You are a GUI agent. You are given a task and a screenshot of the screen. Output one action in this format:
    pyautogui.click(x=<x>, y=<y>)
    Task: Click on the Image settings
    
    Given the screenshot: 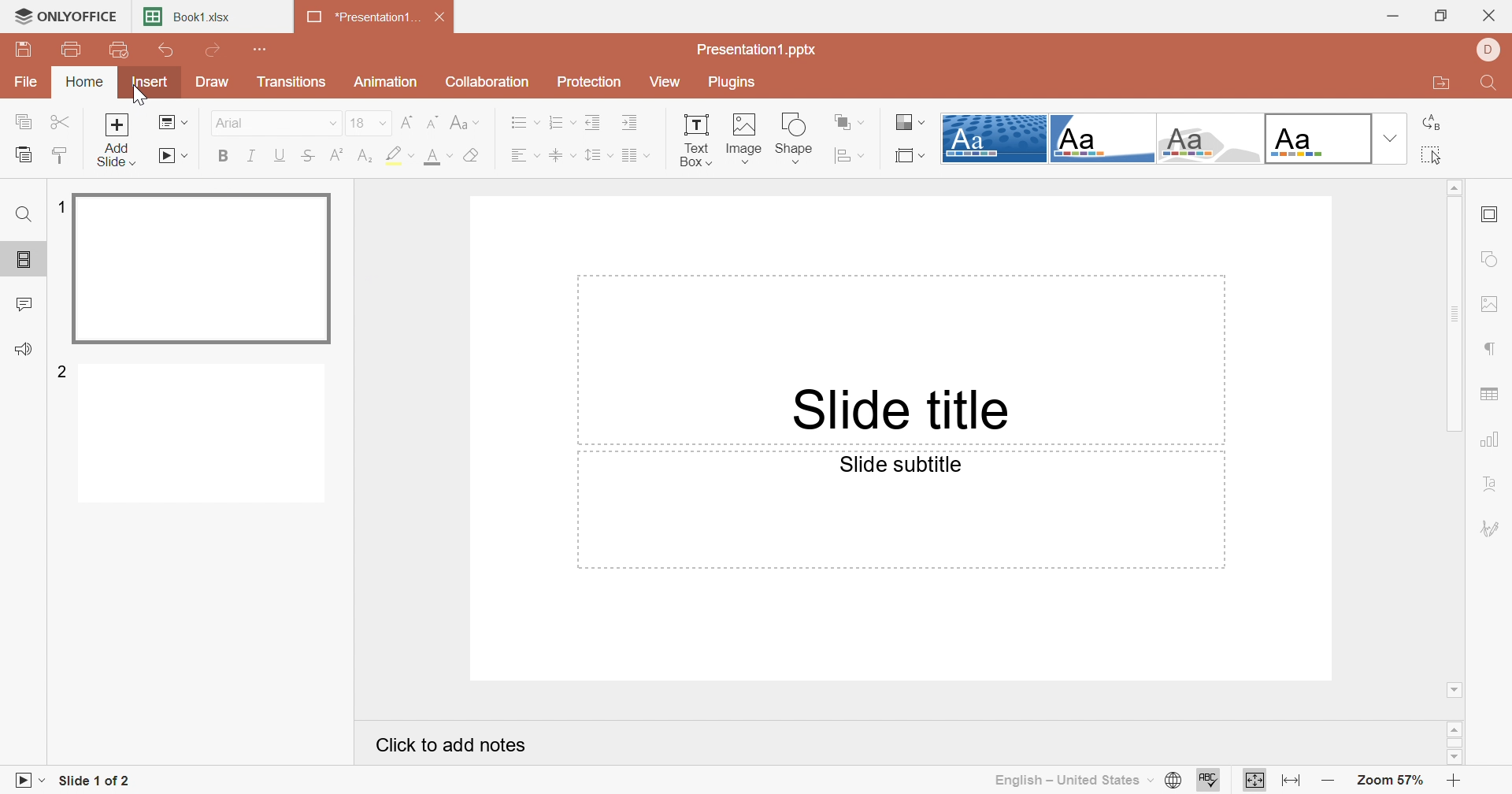 What is the action you would take?
    pyautogui.click(x=1494, y=306)
    